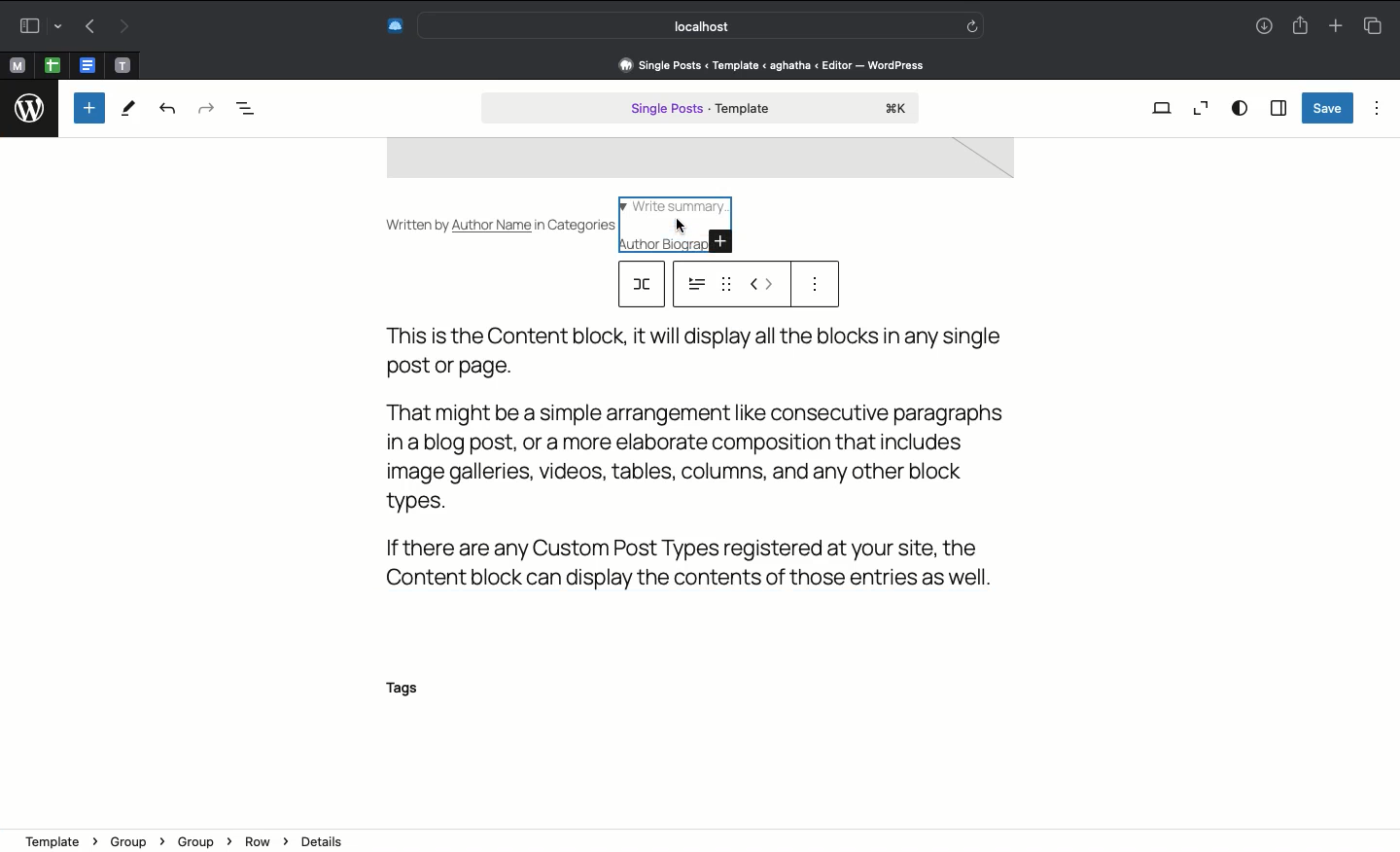 Image resolution: width=1400 pixels, height=852 pixels. Describe the element at coordinates (264, 841) in the screenshot. I see `Row` at that location.